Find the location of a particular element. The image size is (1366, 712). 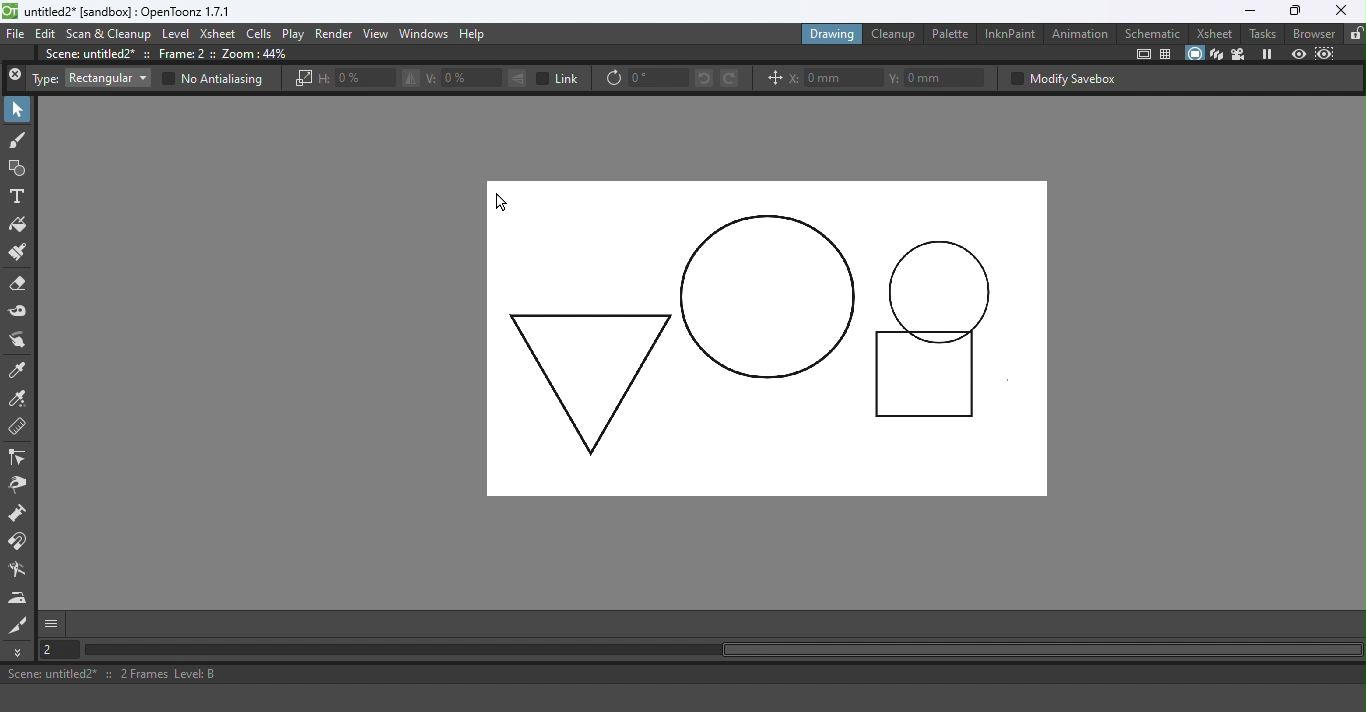

Eraser tool is located at coordinates (22, 284).